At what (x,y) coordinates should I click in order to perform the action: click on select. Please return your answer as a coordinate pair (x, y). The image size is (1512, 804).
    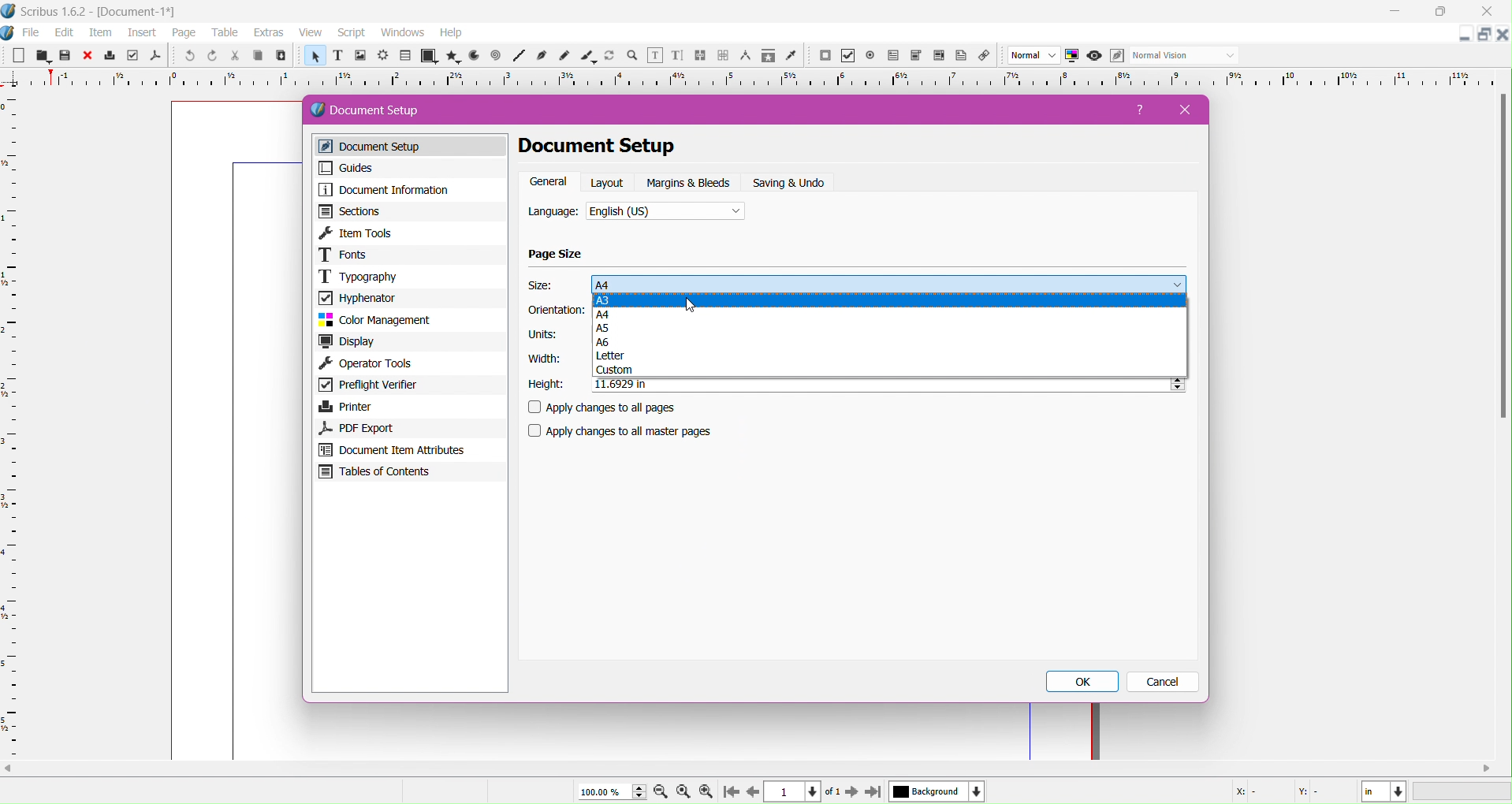
    Looking at the image, I should click on (313, 58).